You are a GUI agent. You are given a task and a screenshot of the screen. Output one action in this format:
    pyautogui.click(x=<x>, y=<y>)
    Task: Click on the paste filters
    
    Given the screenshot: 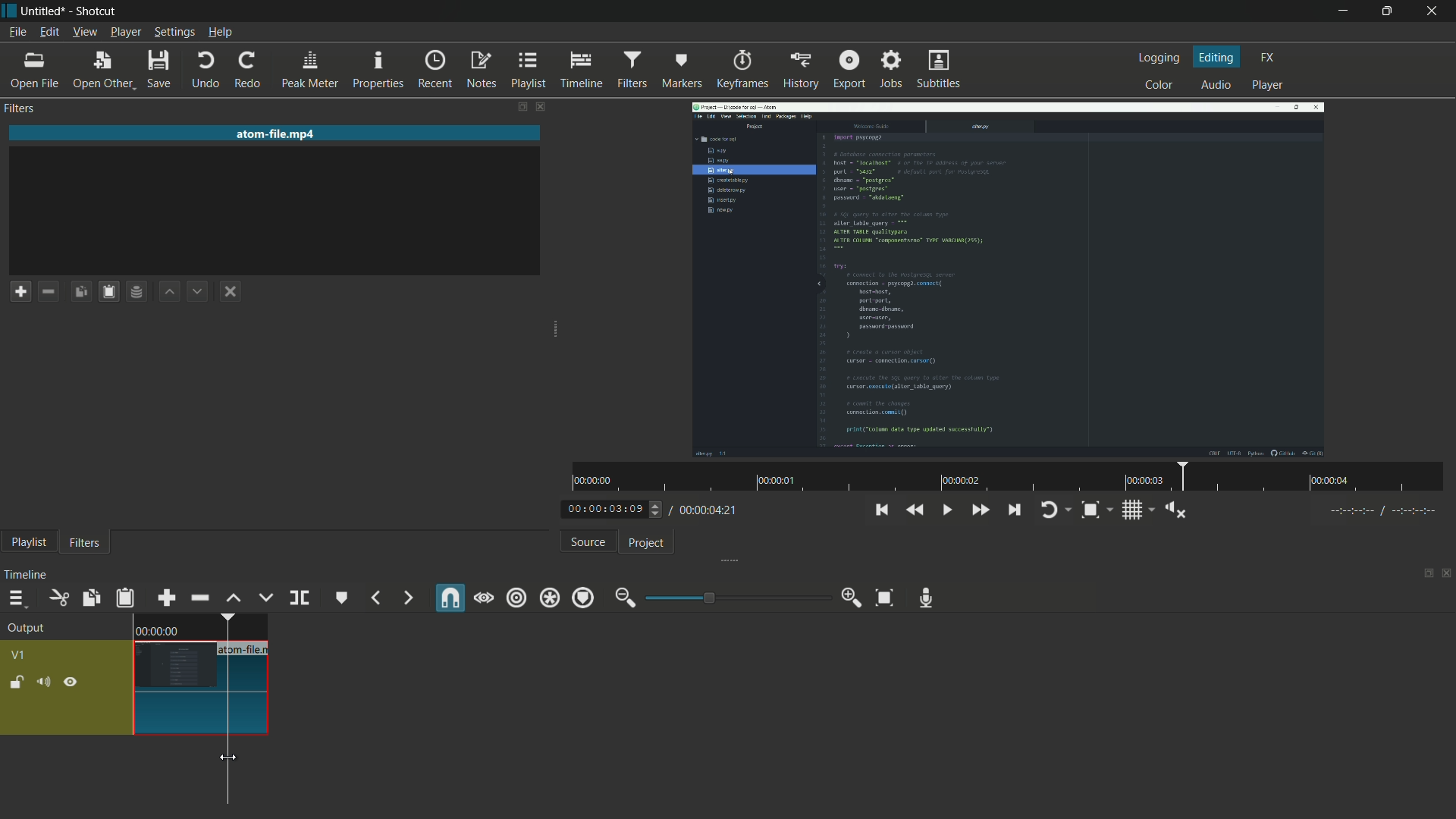 What is the action you would take?
    pyautogui.click(x=107, y=292)
    